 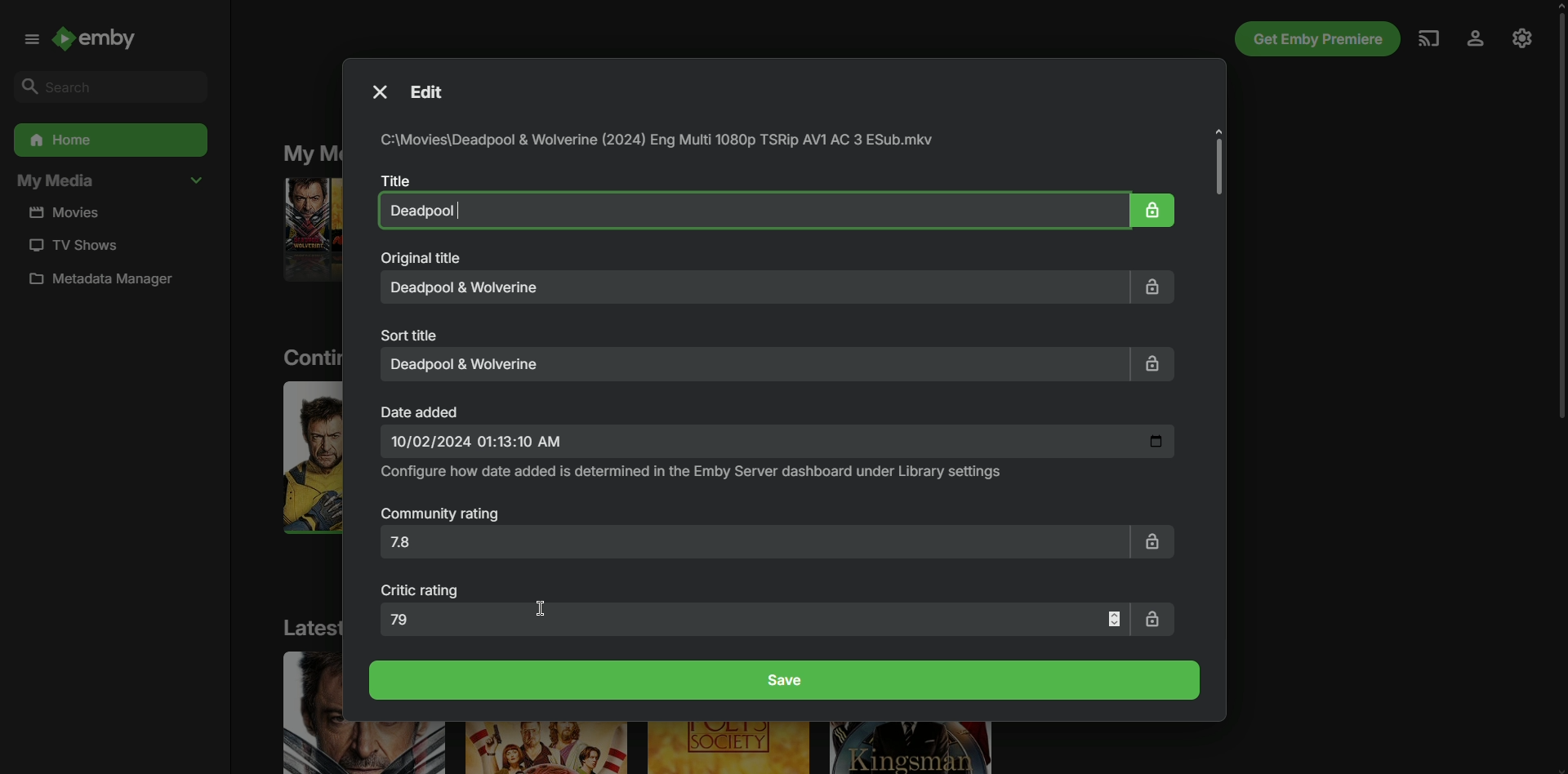 What do you see at coordinates (1522, 37) in the screenshot?
I see `Settings` at bounding box center [1522, 37].